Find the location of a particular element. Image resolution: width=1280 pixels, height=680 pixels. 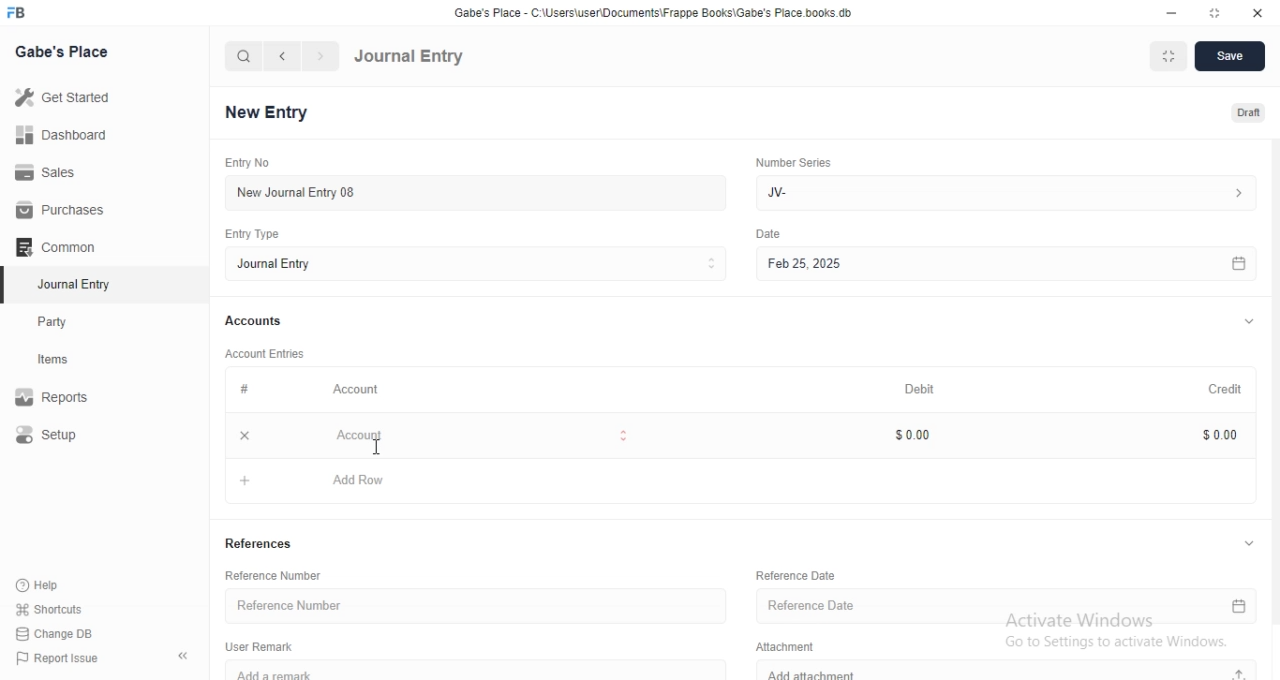

Help is located at coordinates (63, 584).